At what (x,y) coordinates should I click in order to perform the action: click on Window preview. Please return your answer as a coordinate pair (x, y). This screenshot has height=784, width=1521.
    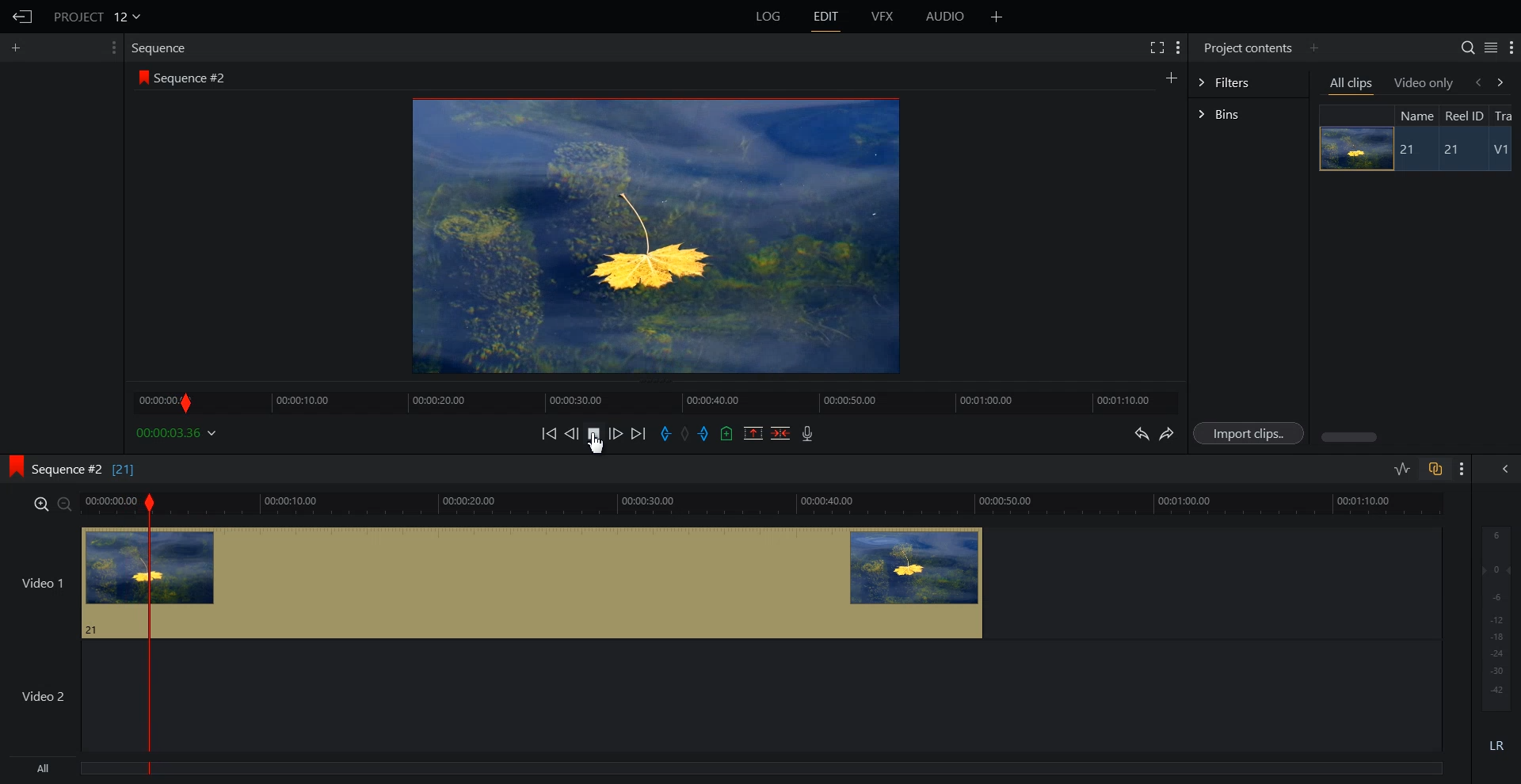
    Looking at the image, I should click on (651, 234).